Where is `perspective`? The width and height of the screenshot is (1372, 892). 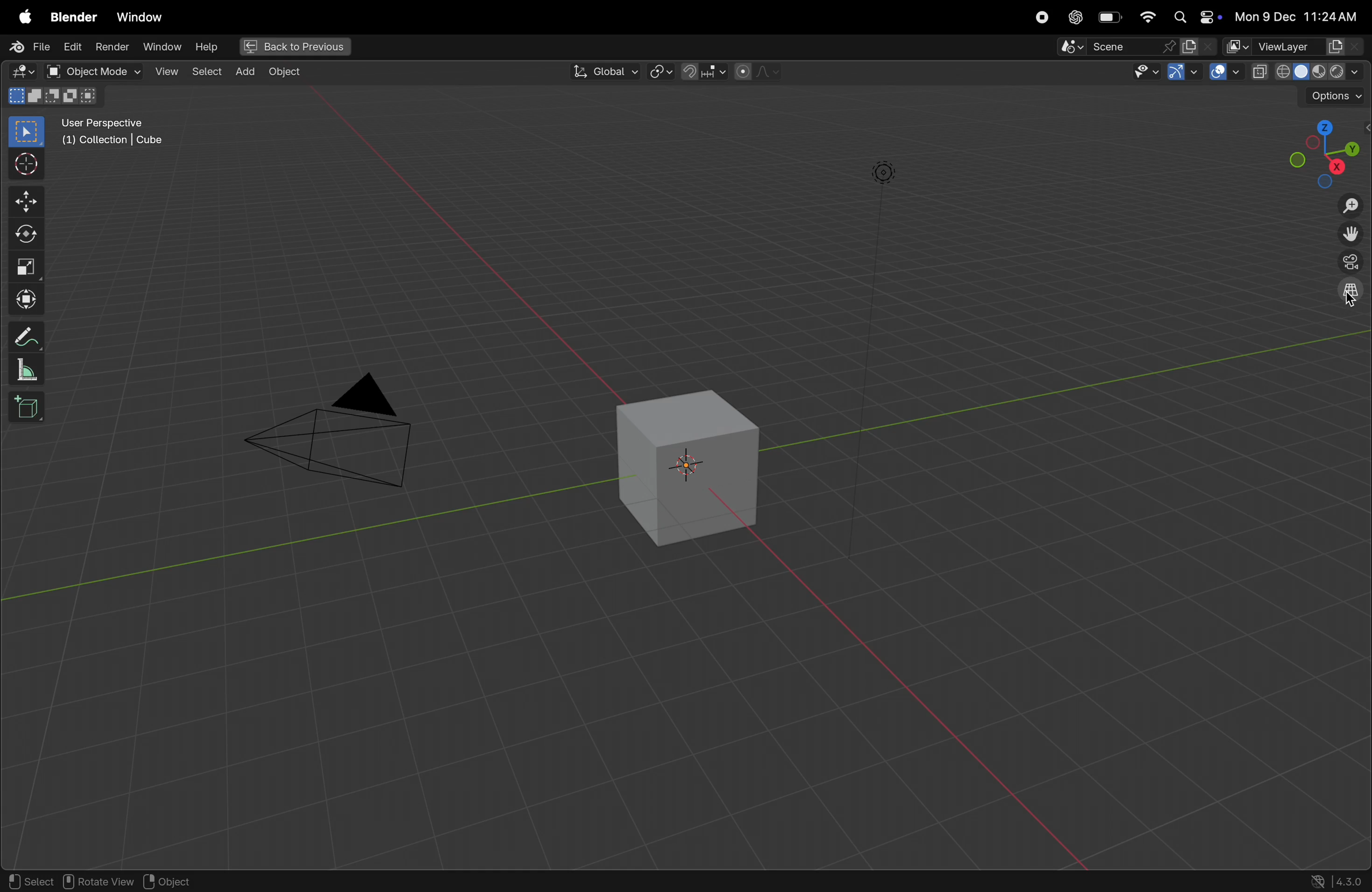 perspective is located at coordinates (1351, 264).